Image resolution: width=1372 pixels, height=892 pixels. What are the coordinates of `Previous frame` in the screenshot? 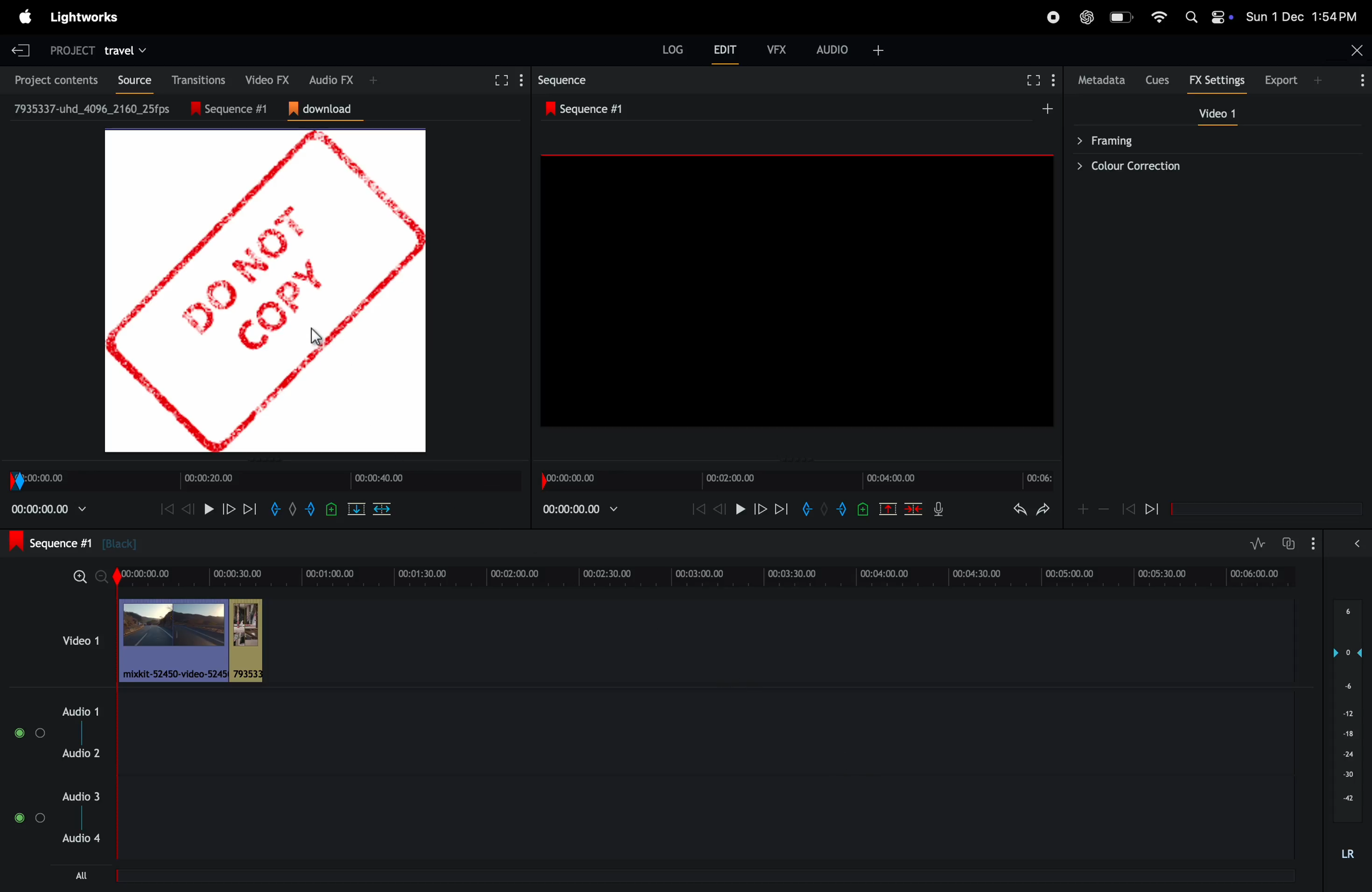 It's located at (167, 509).